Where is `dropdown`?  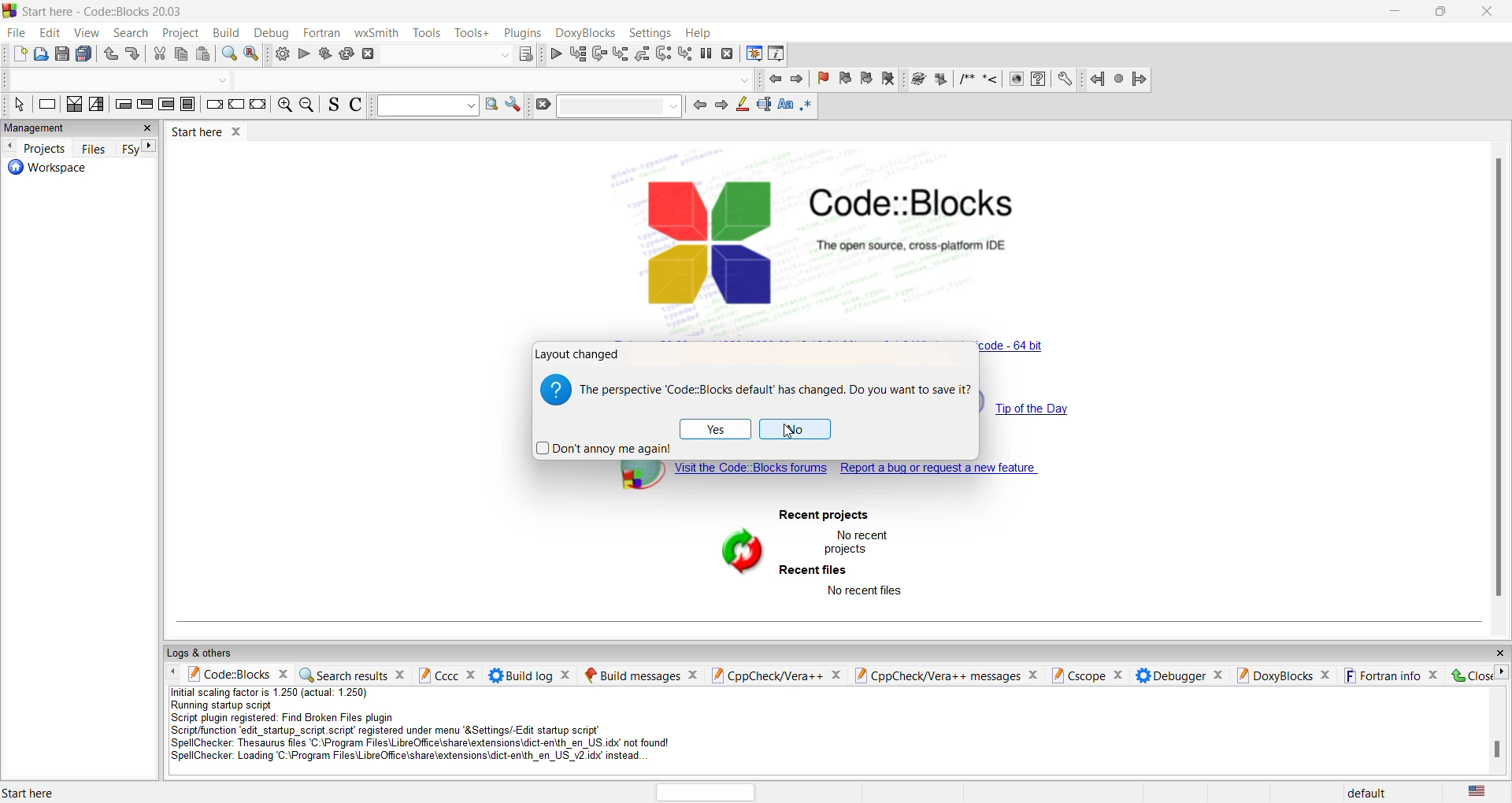 dropdown is located at coordinates (747, 80).